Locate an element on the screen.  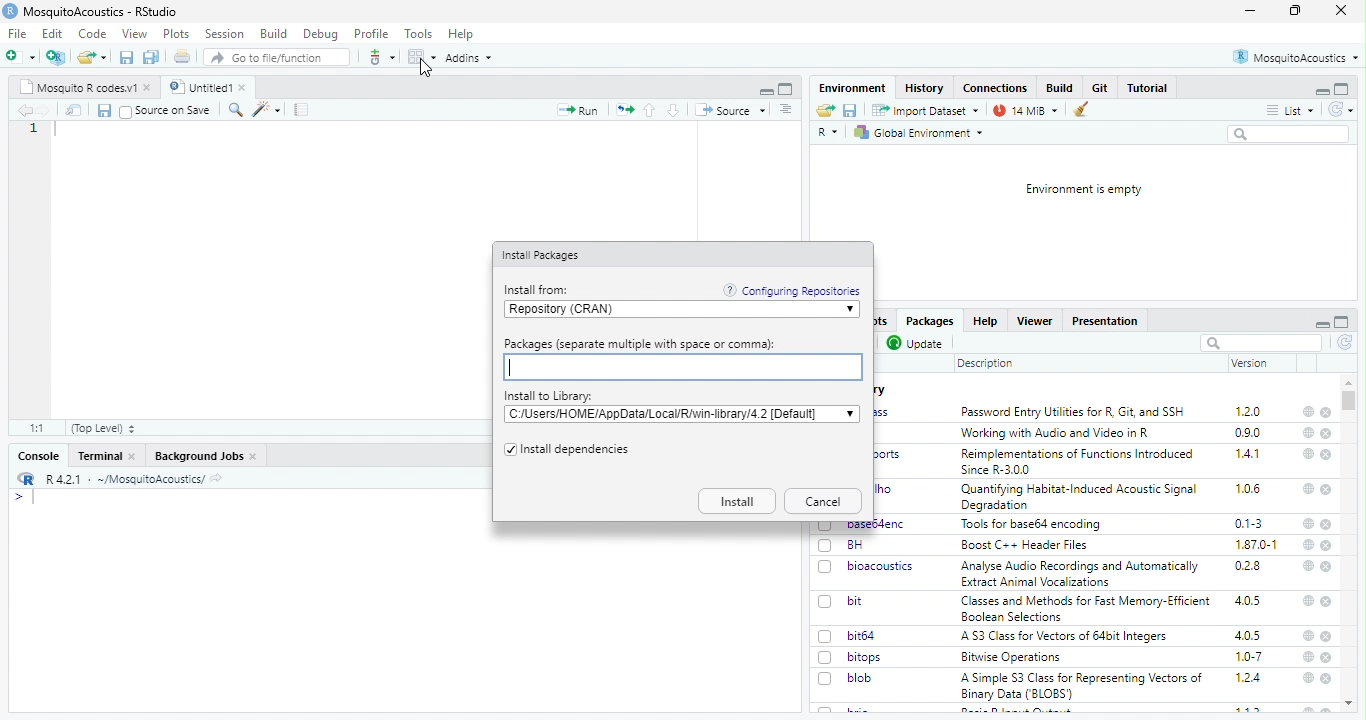
close is located at coordinates (1326, 601).